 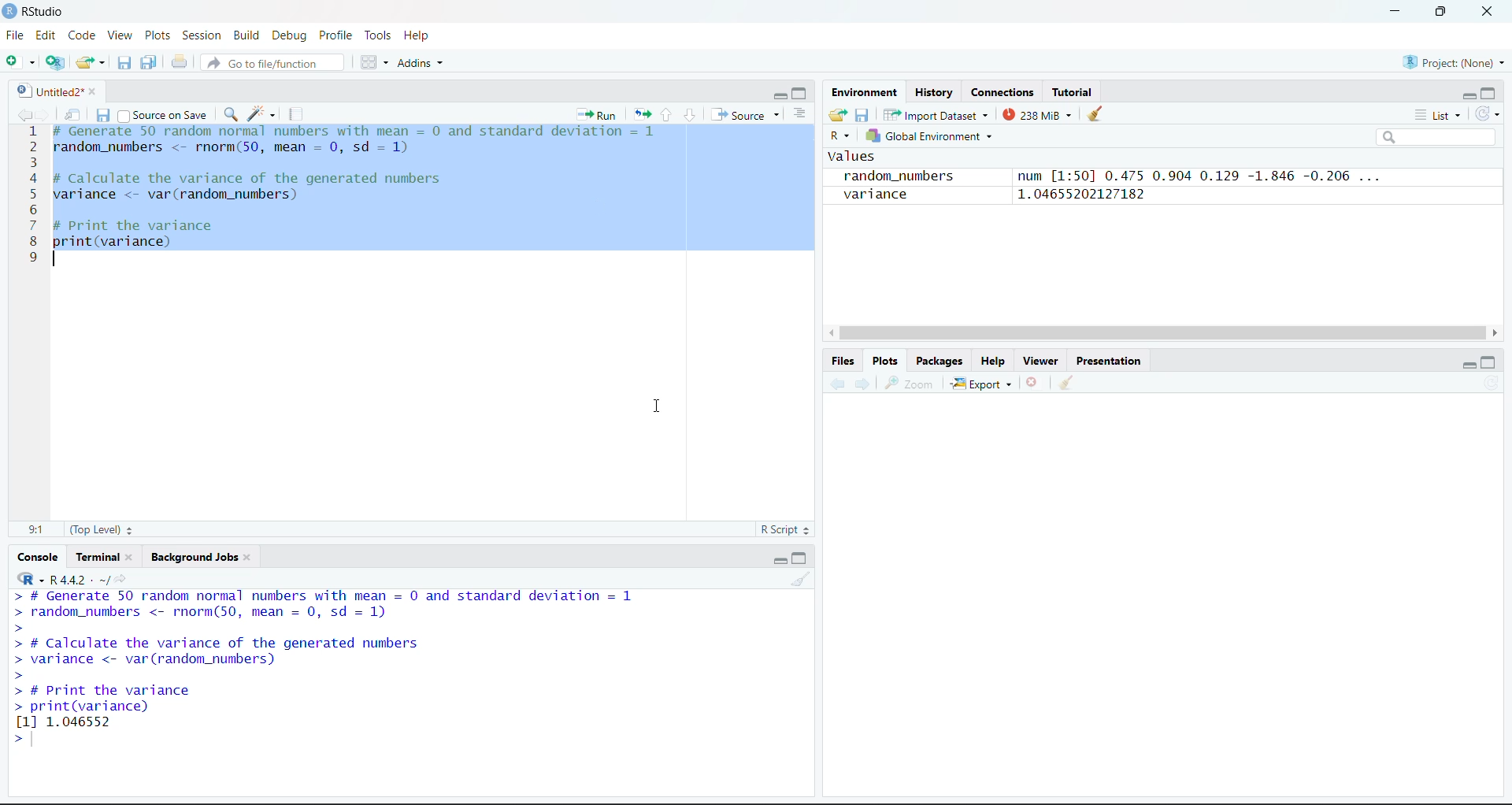 What do you see at coordinates (982, 384) in the screenshot?
I see `Export` at bounding box center [982, 384].